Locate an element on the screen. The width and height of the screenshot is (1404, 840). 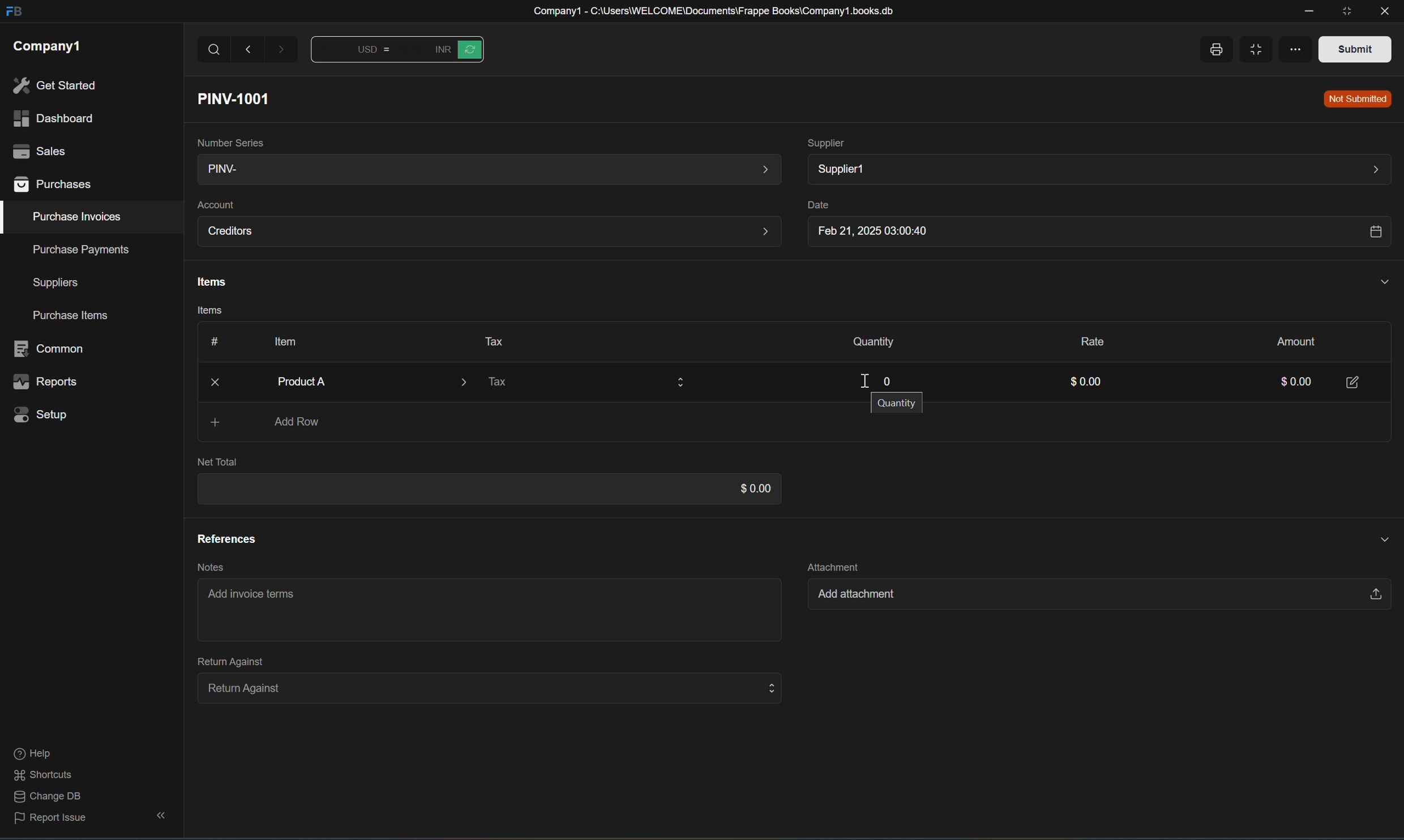
cursor is located at coordinates (850, 382).